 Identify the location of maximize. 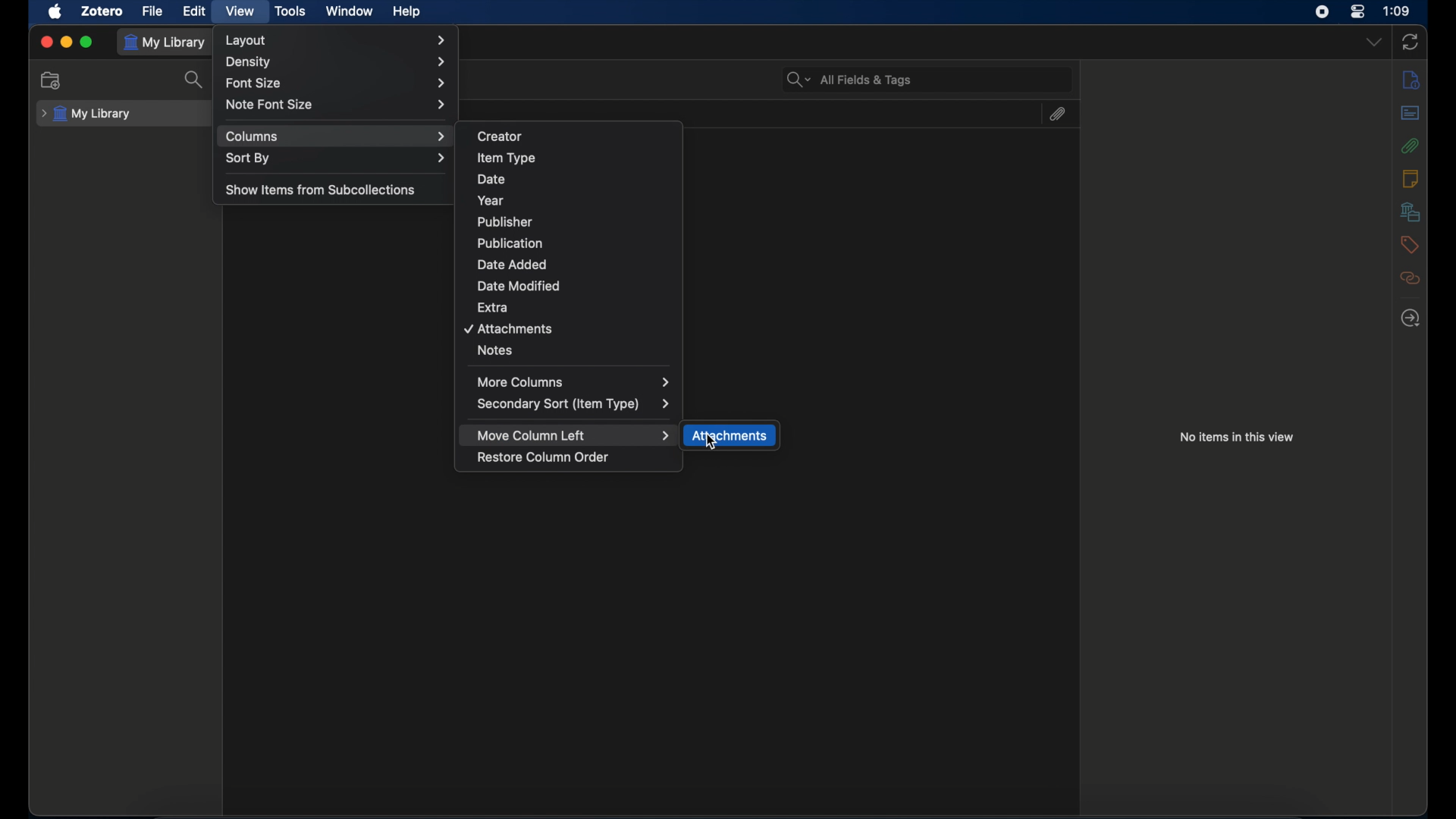
(87, 42).